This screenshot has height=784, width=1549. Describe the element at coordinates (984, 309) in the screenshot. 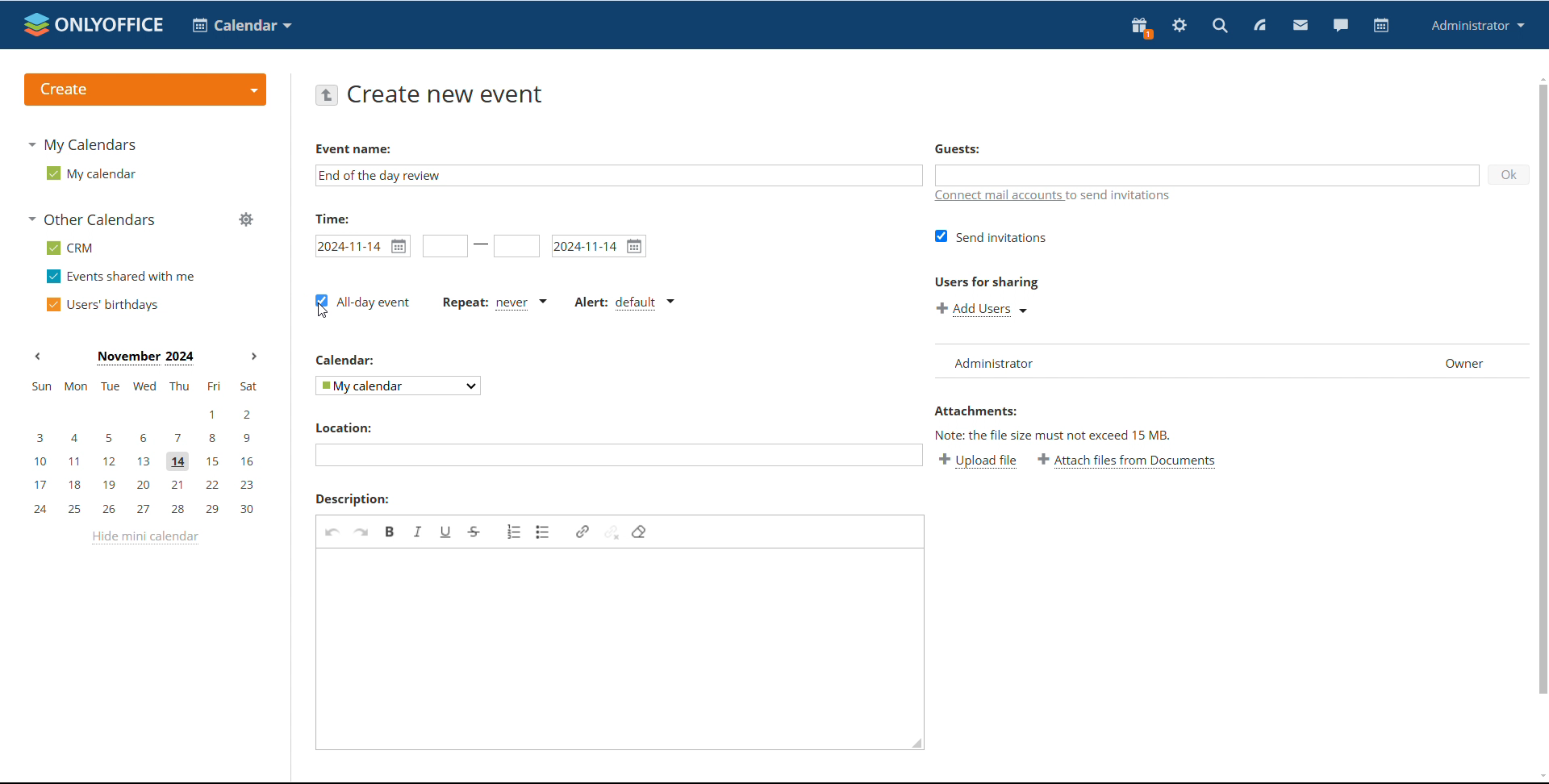

I see `add users` at that location.